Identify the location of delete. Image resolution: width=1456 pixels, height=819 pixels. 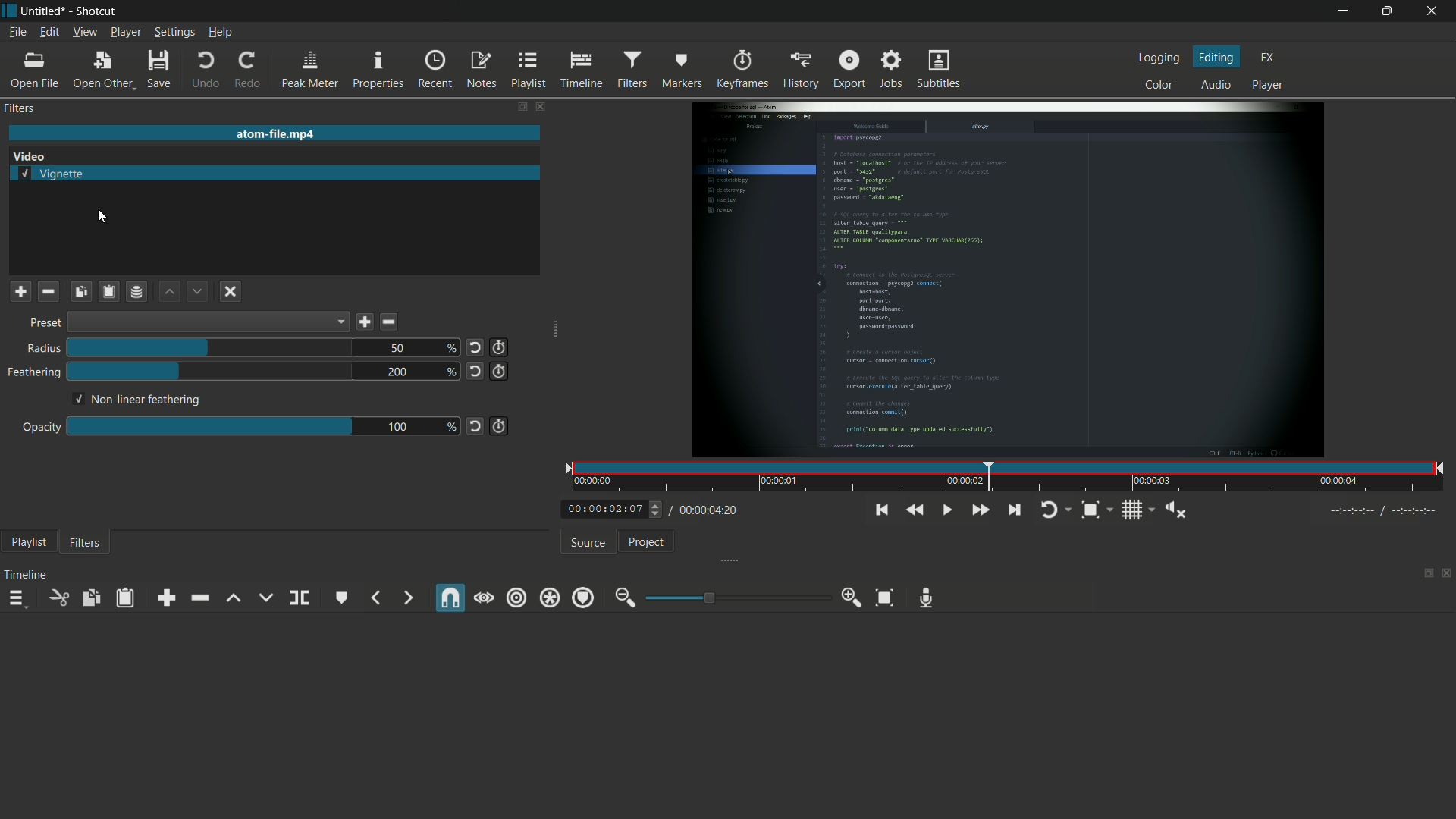
(390, 322).